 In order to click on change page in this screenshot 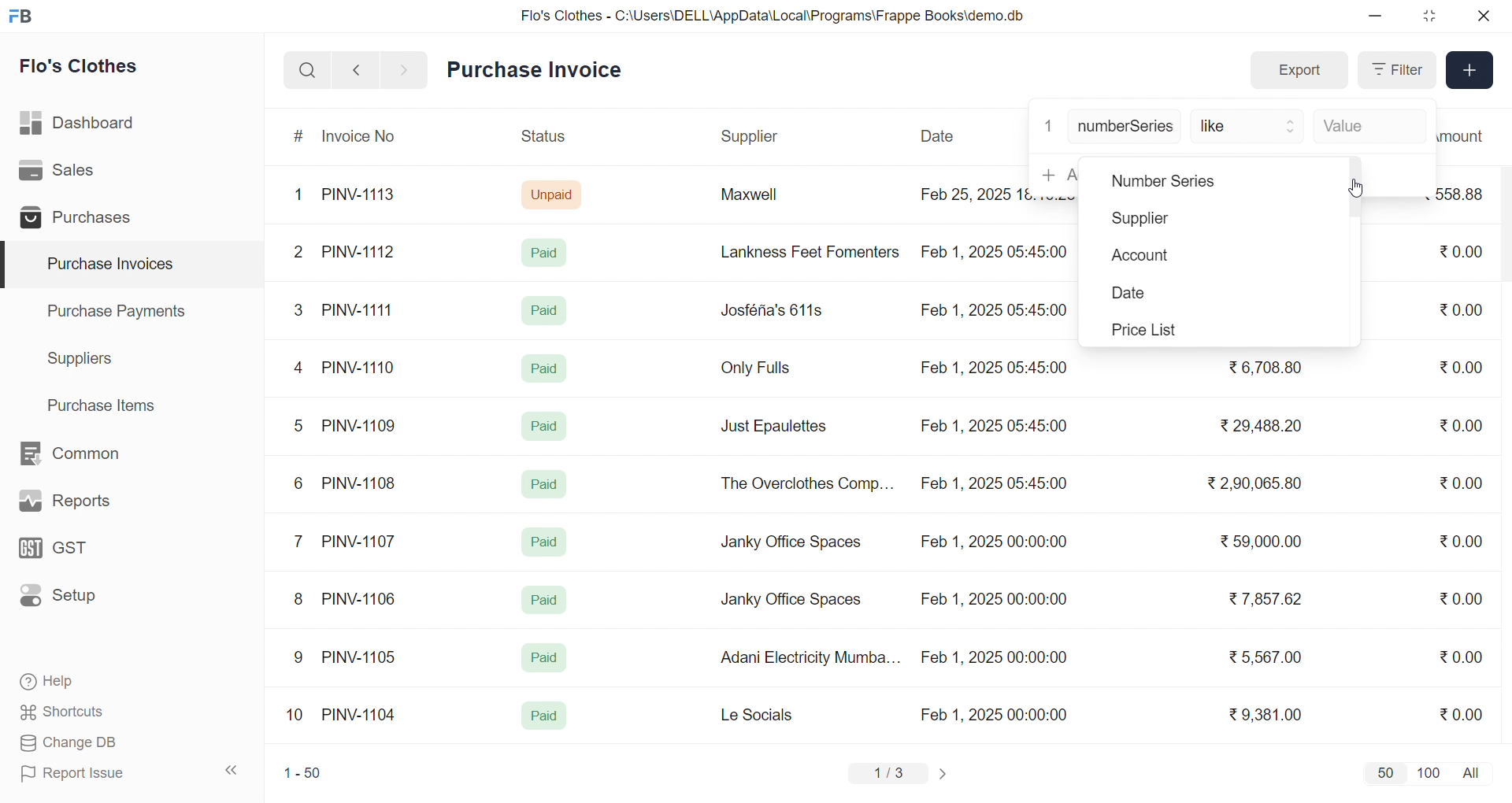, I will do `click(945, 773)`.